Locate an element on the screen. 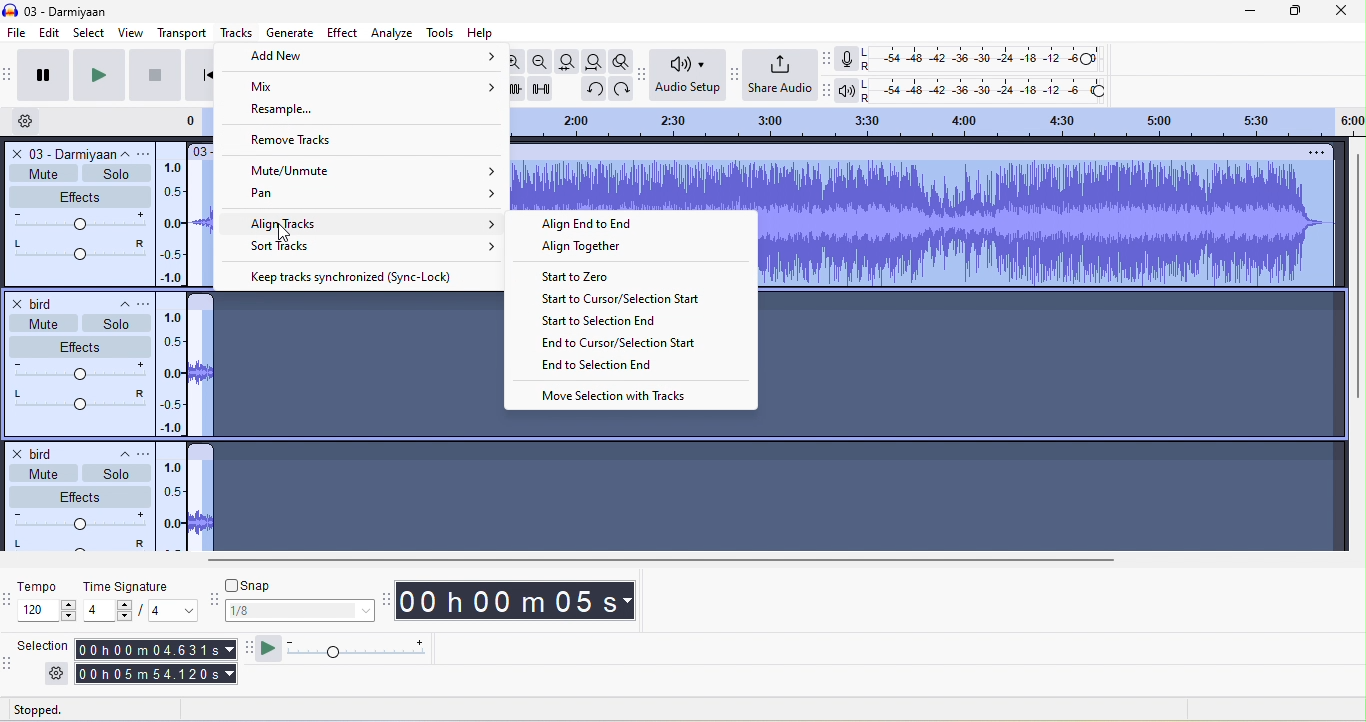 This screenshot has width=1366, height=722. 1/8 is located at coordinates (297, 612).